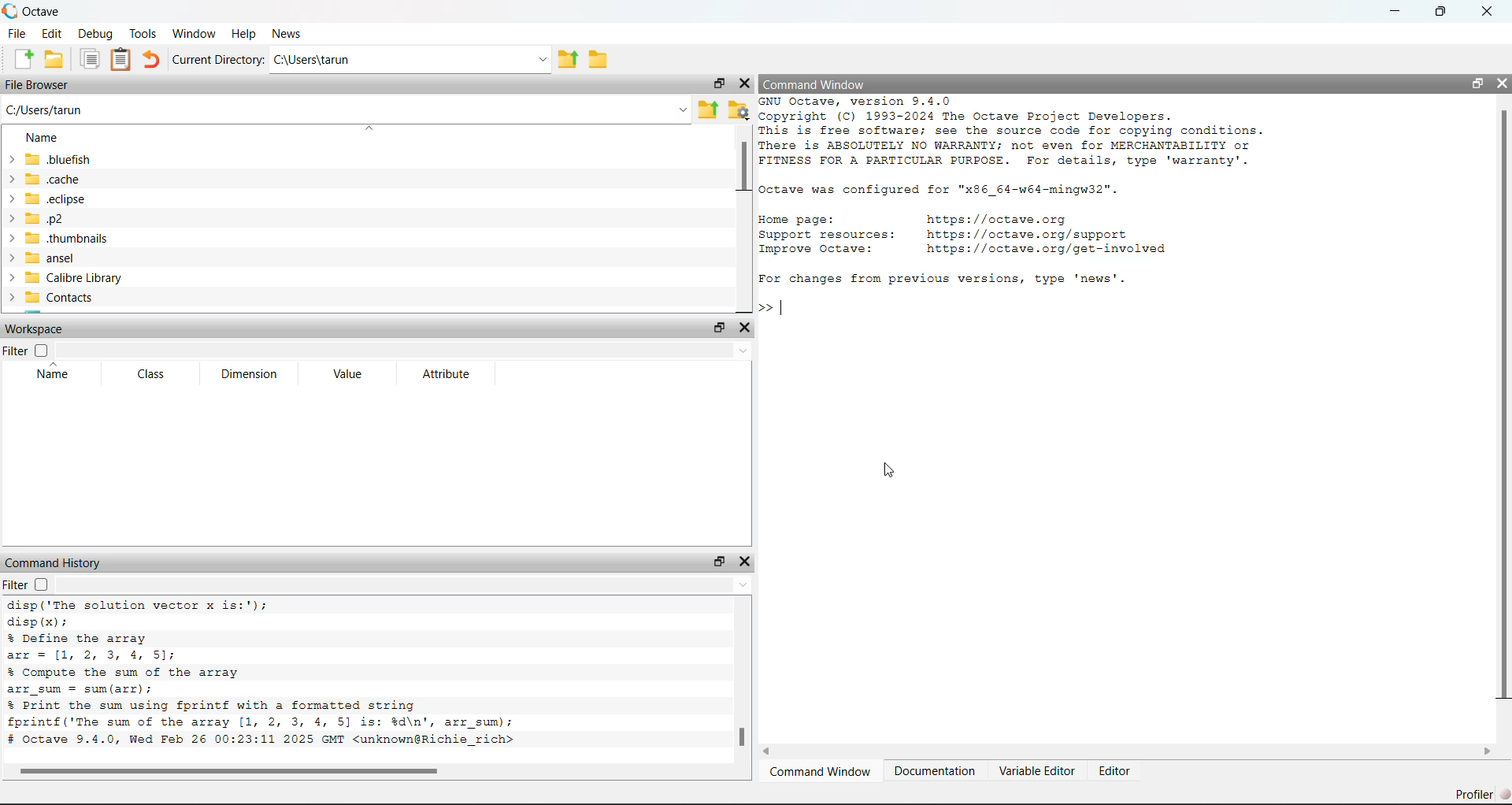 The image size is (1512, 805). Describe the element at coordinates (744, 328) in the screenshot. I see `Close` at that location.